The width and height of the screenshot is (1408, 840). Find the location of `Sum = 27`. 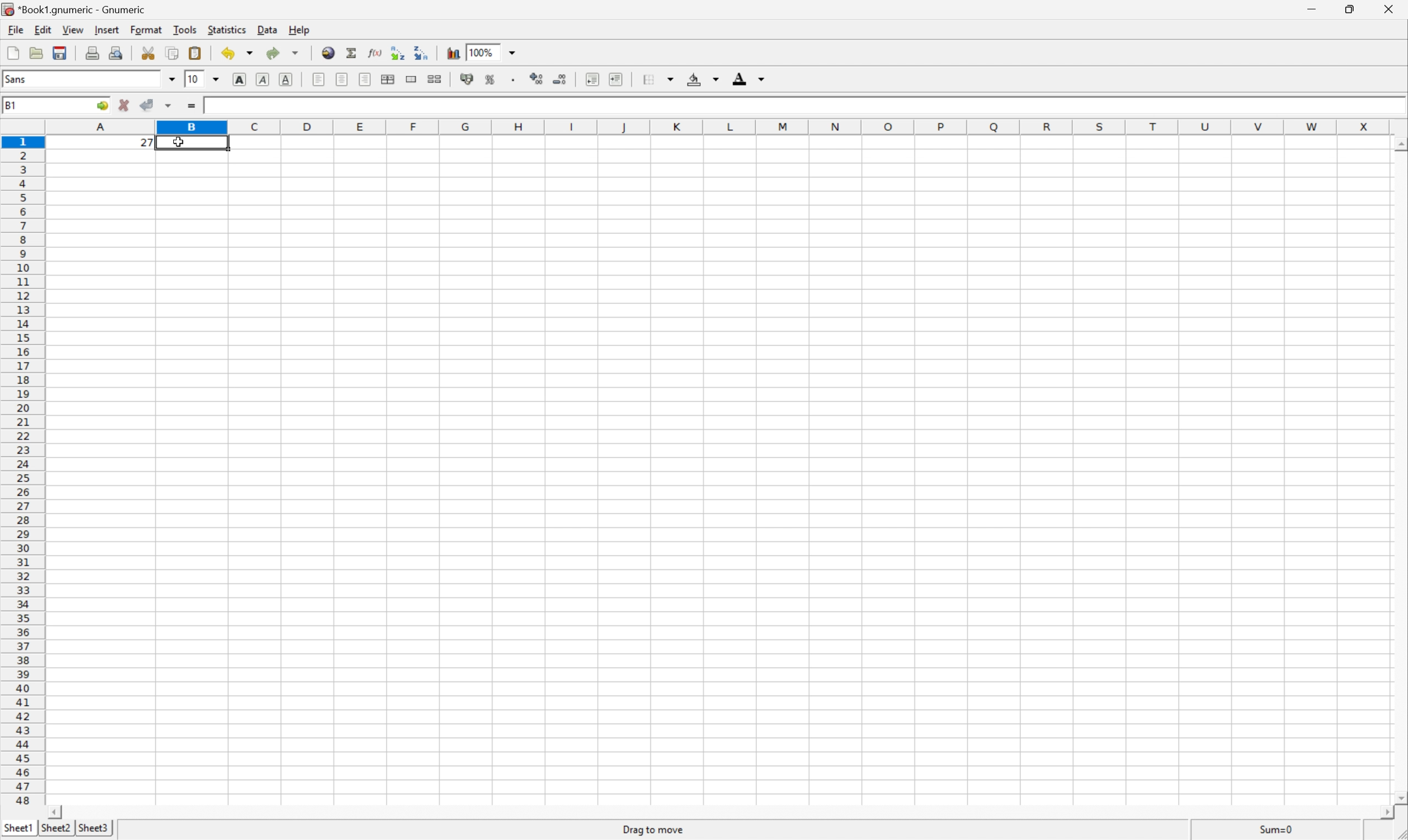

Sum = 27 is located at coordinates (1277, 829).